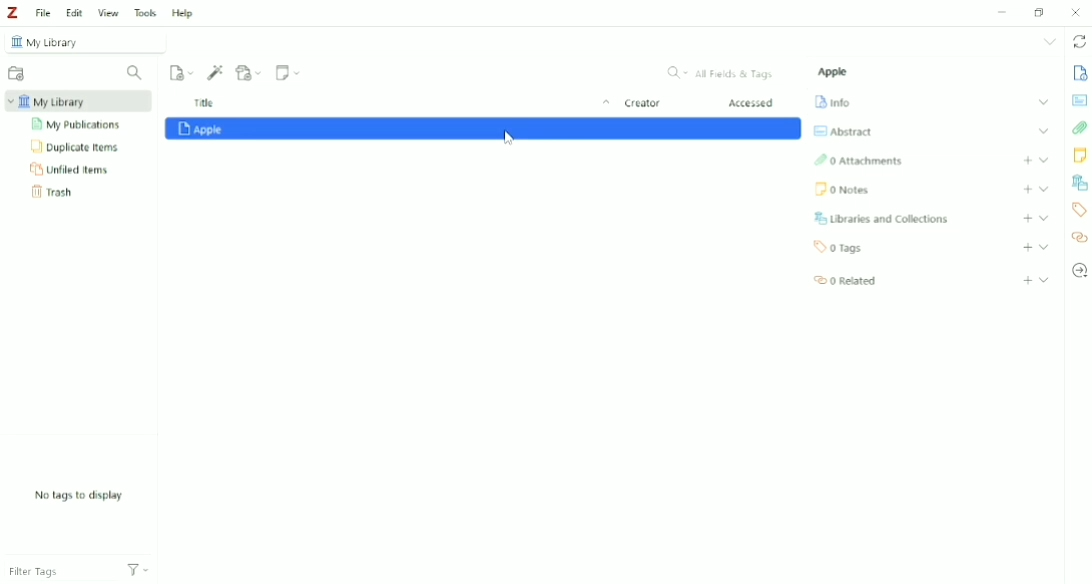  I want to click on No tags to display, so click(77, 495).